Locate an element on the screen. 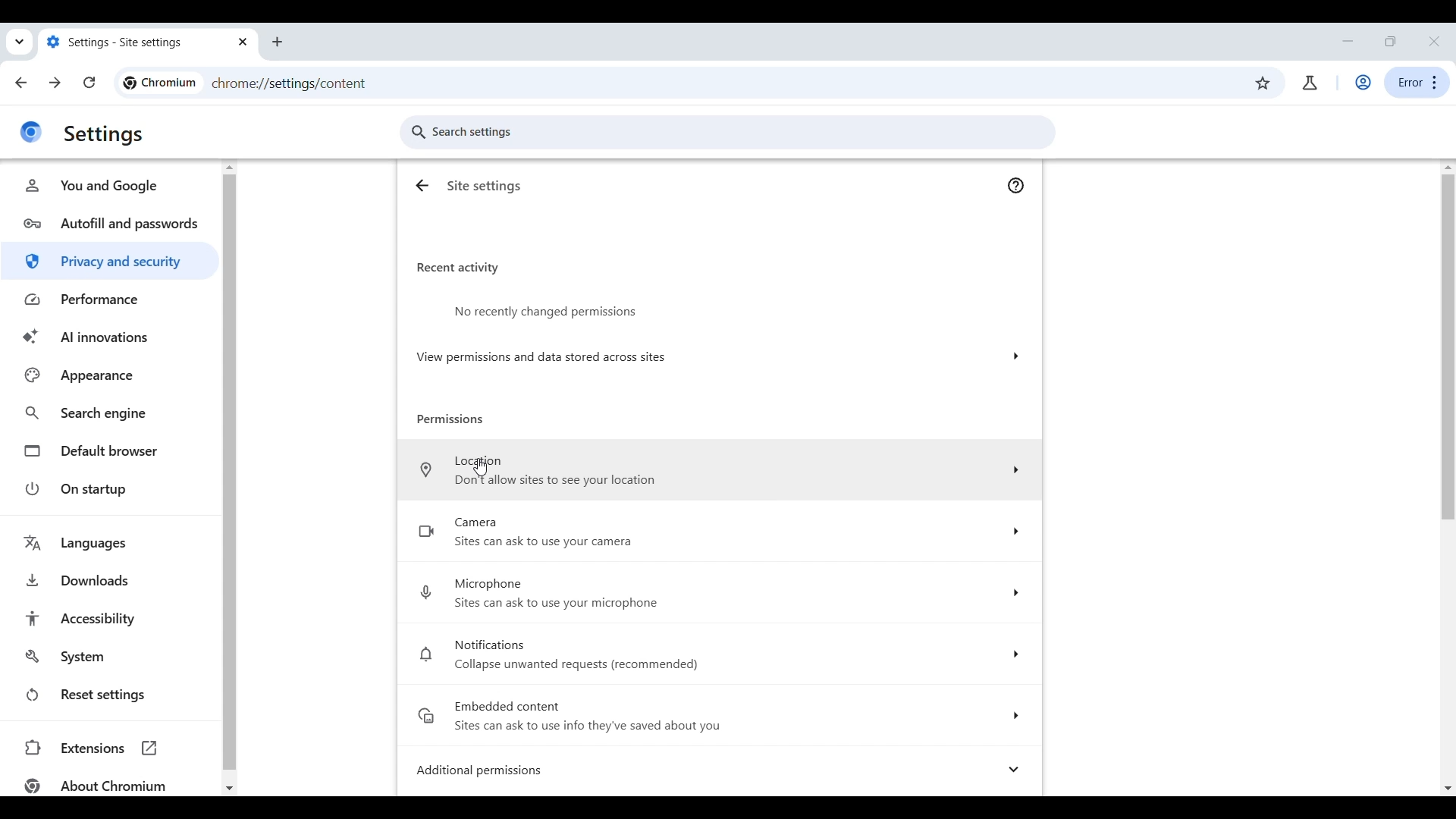  Microphone: sites can ask to use your microphone is located at coordinates (717, 593).